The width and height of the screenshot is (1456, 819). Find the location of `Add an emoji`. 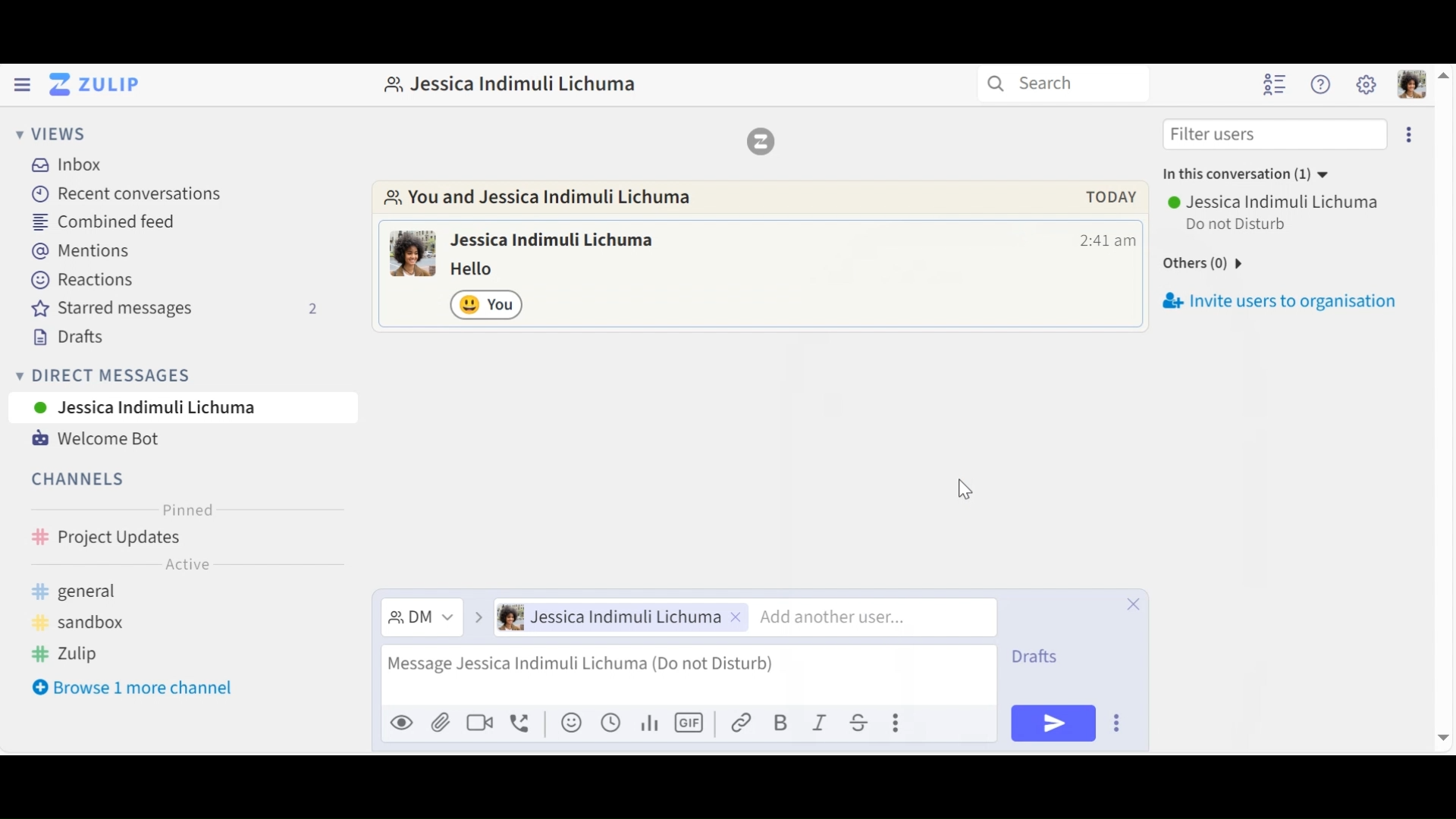

Add an emoji is located at coordinates (571, 723).